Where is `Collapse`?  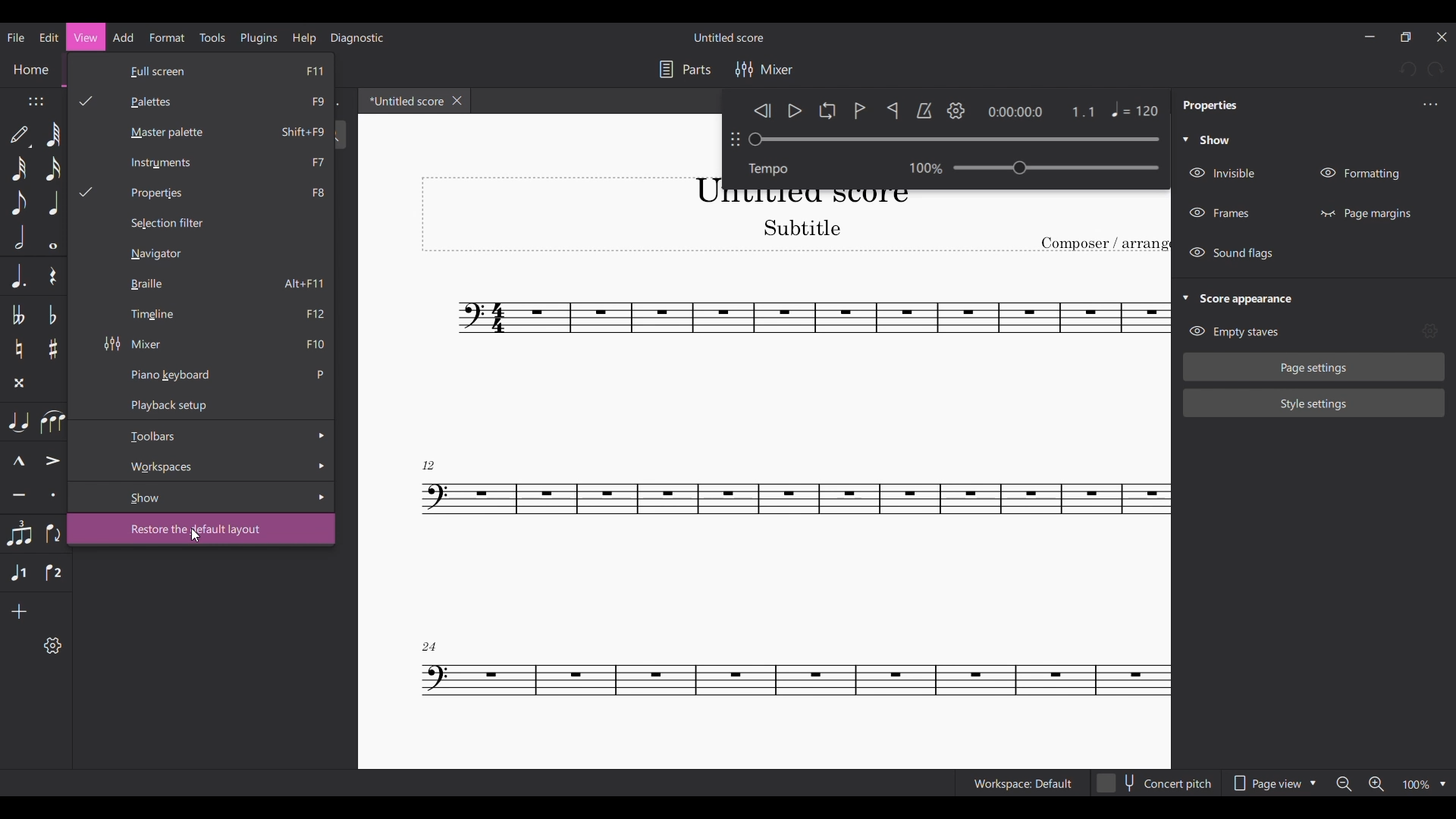 Collapse is located at coordinates (1185, 297).